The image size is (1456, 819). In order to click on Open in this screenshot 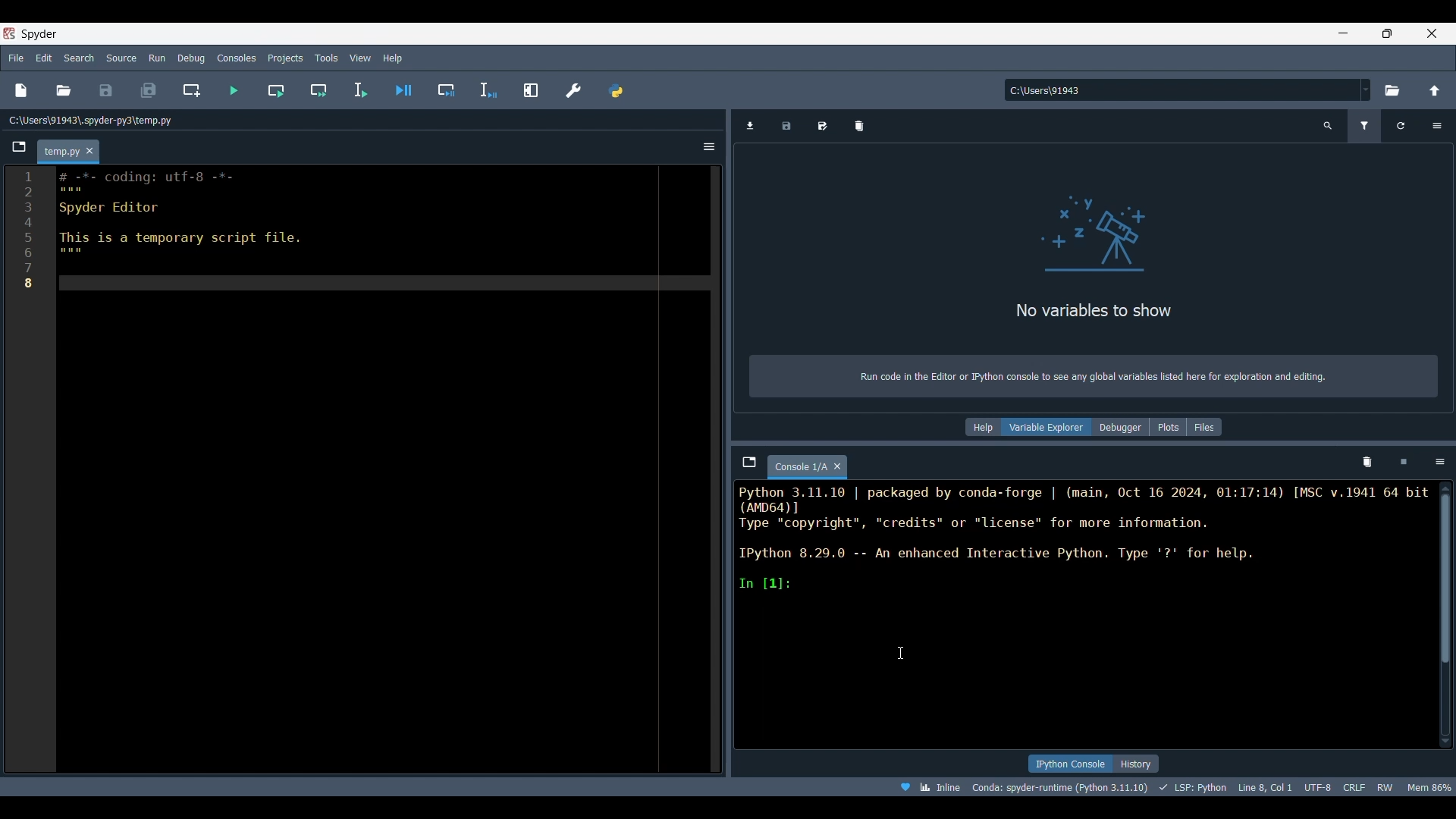, I will do `click(64, 90)`.